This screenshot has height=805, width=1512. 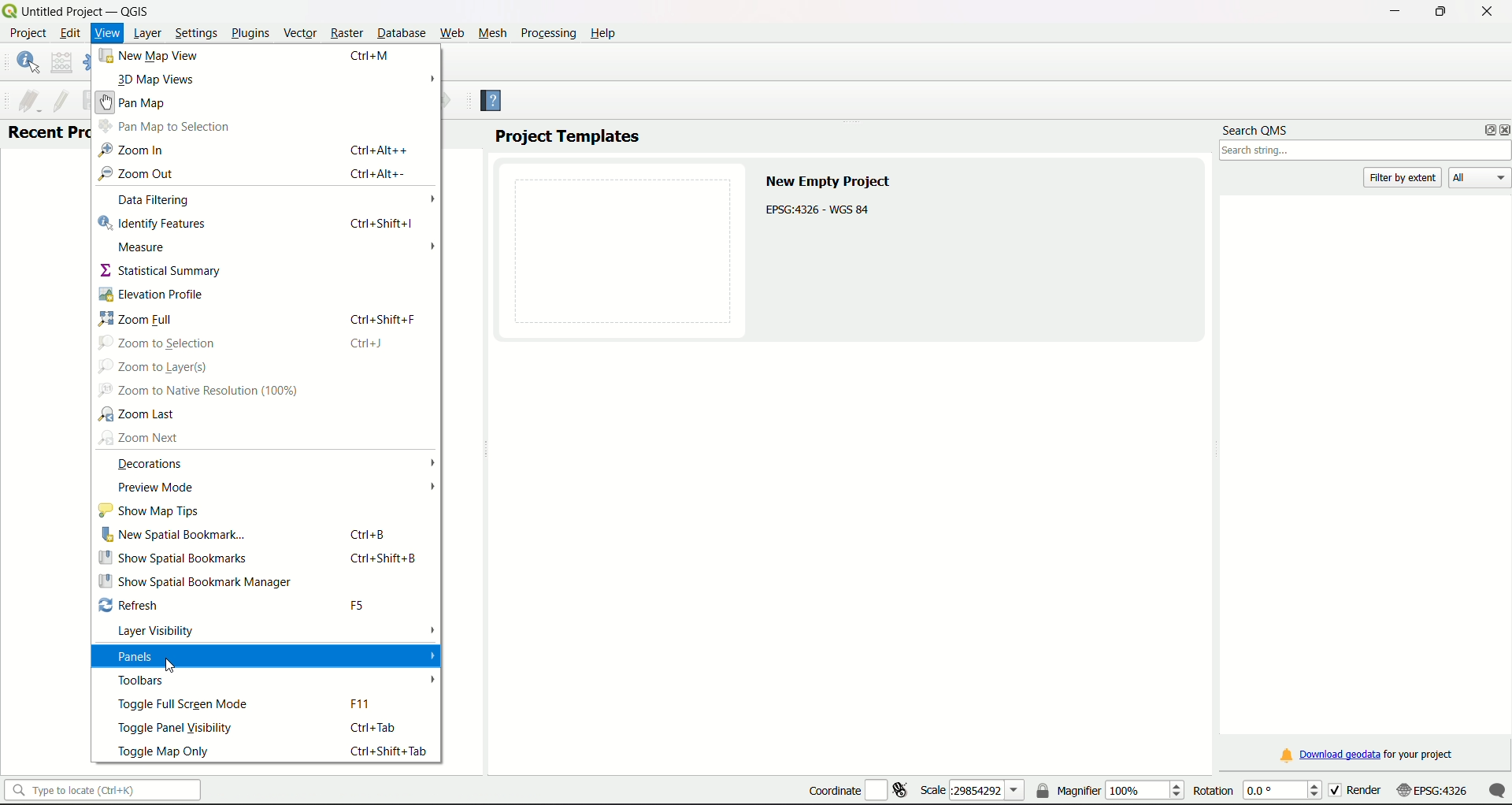 I want to click on , so click(x=132, y=150).